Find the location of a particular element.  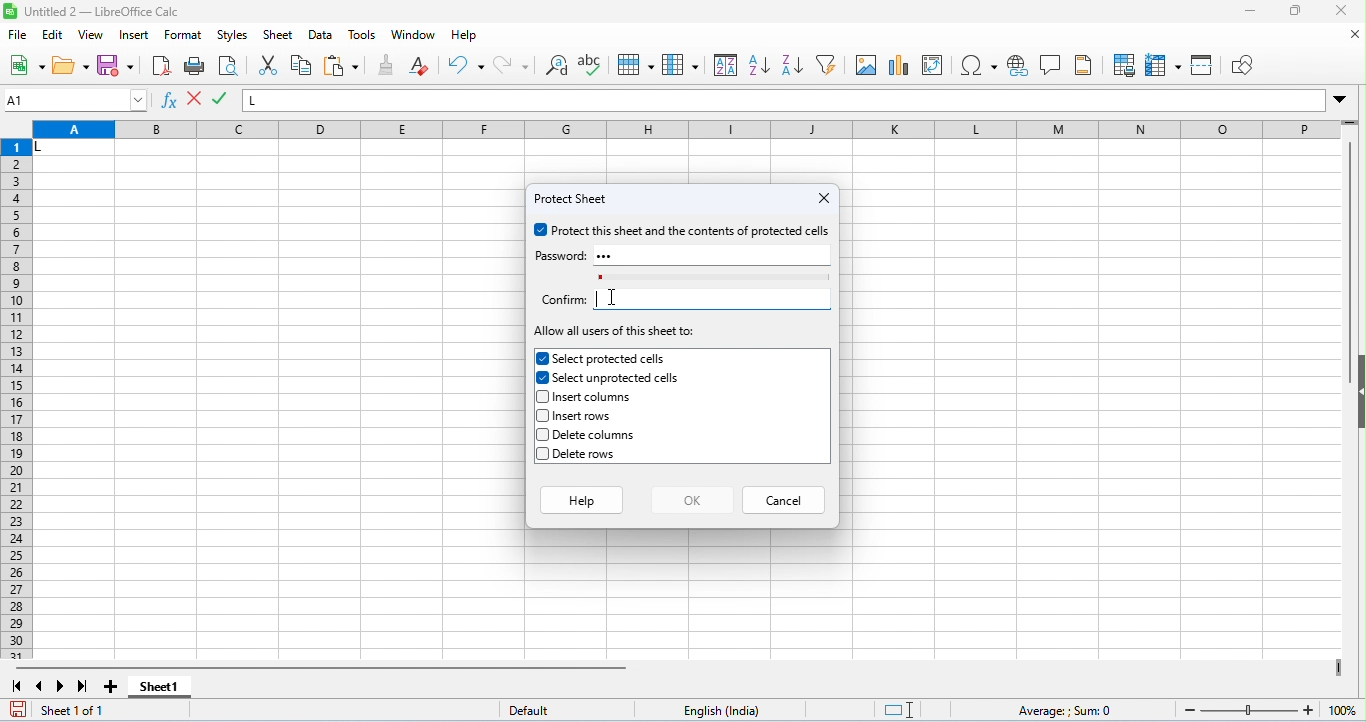

close is located at coordinates (823, 198).